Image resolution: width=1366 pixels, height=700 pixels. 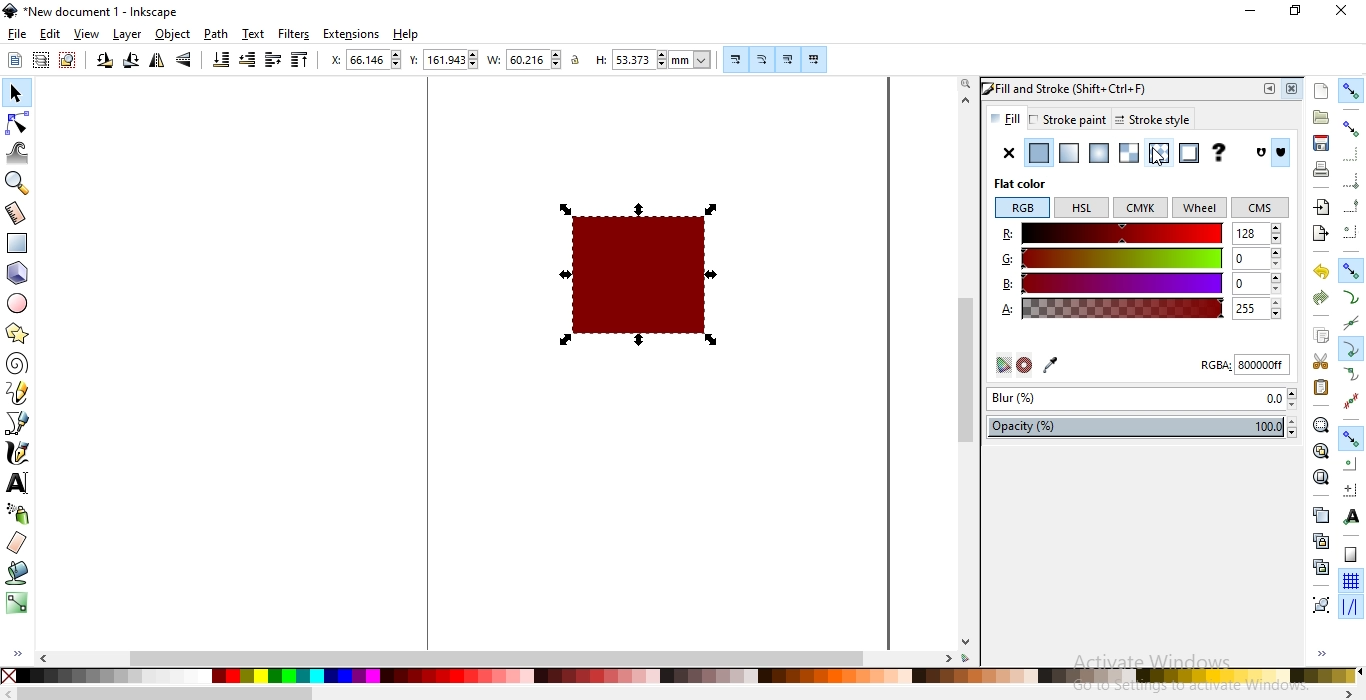 I want to click on edit paths by nodes, so click(x=18, y=122).